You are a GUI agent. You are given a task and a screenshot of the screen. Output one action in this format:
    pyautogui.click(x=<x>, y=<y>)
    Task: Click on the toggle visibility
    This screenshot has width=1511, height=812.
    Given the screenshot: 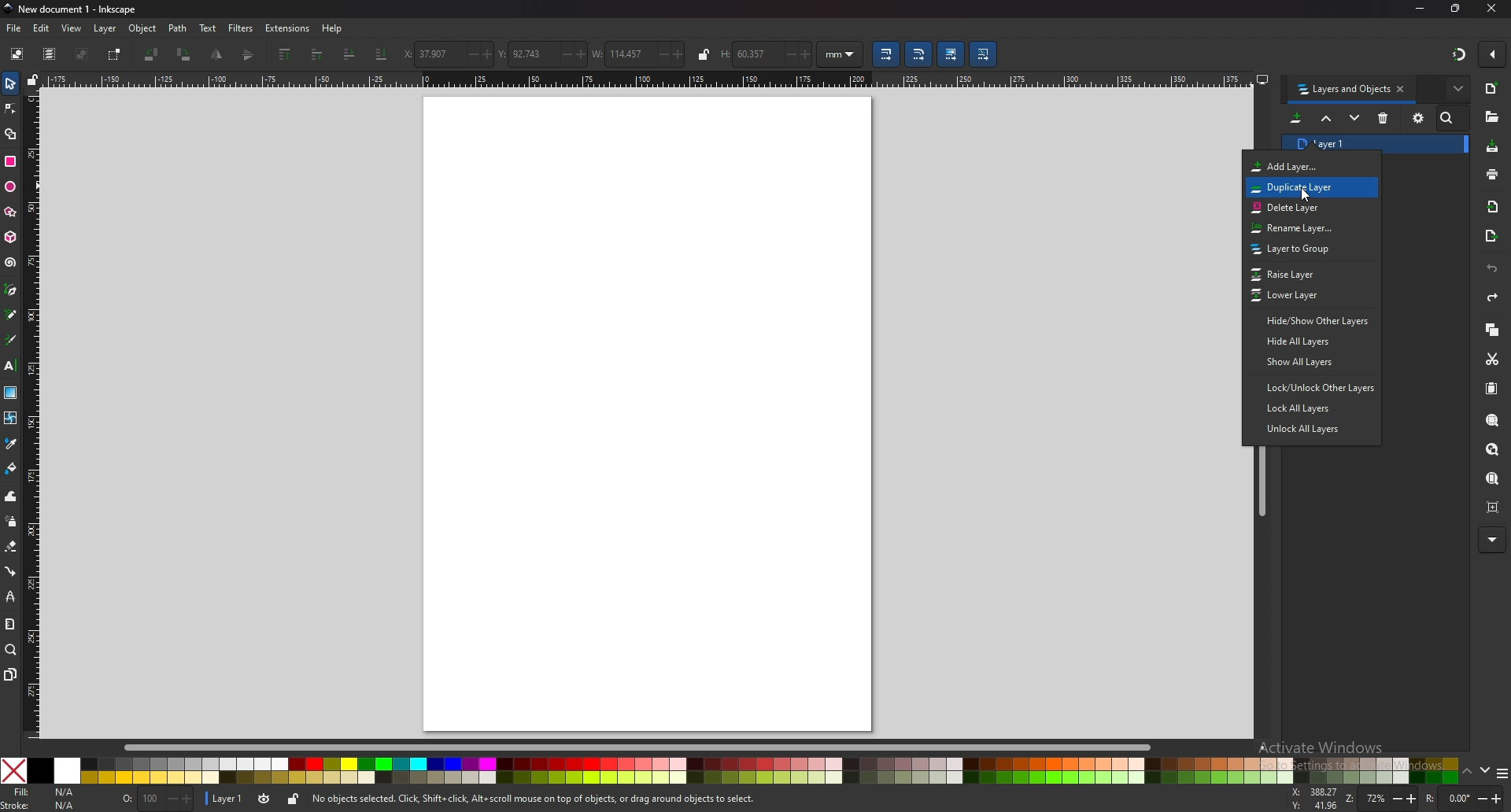 What is the action you would take?
    pyautogui.click(x=264, y=798)
    